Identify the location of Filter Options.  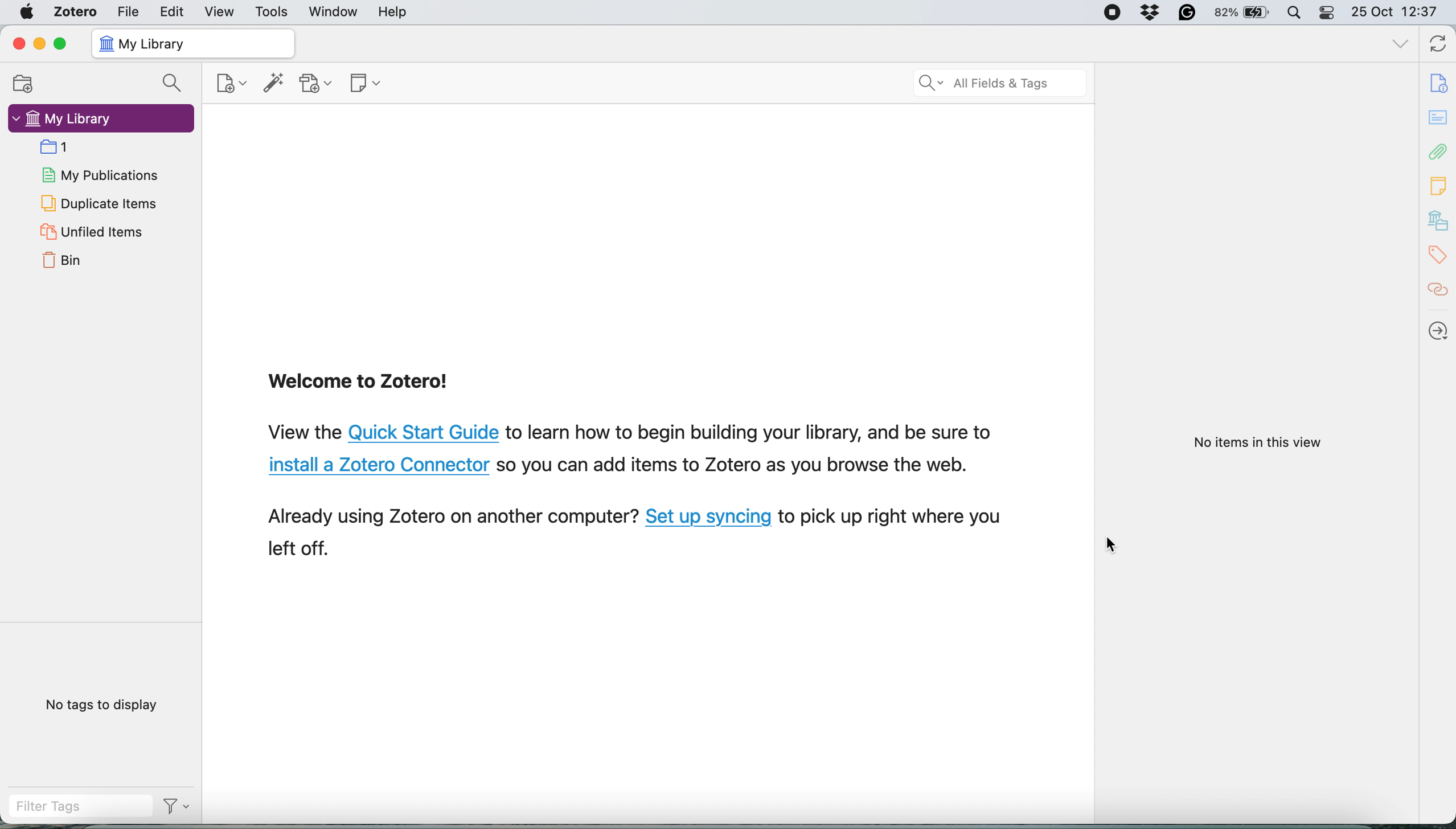
(179, 809).